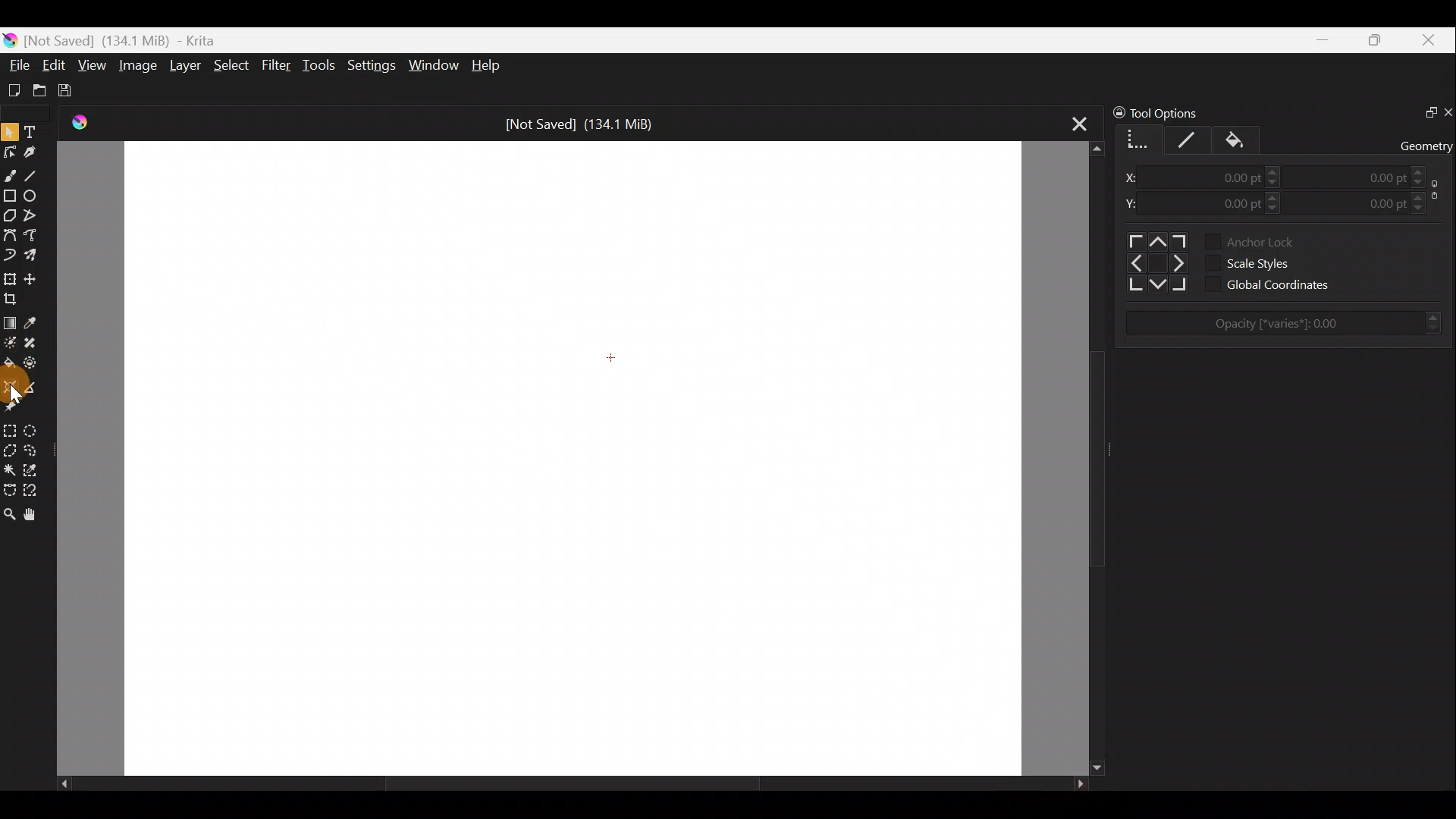 This screenshot has width=1456, height=819. What do you see at coordinates (1324, 39) in the screenshot?
I see `Minimize` at bounding box center [1324, 39].